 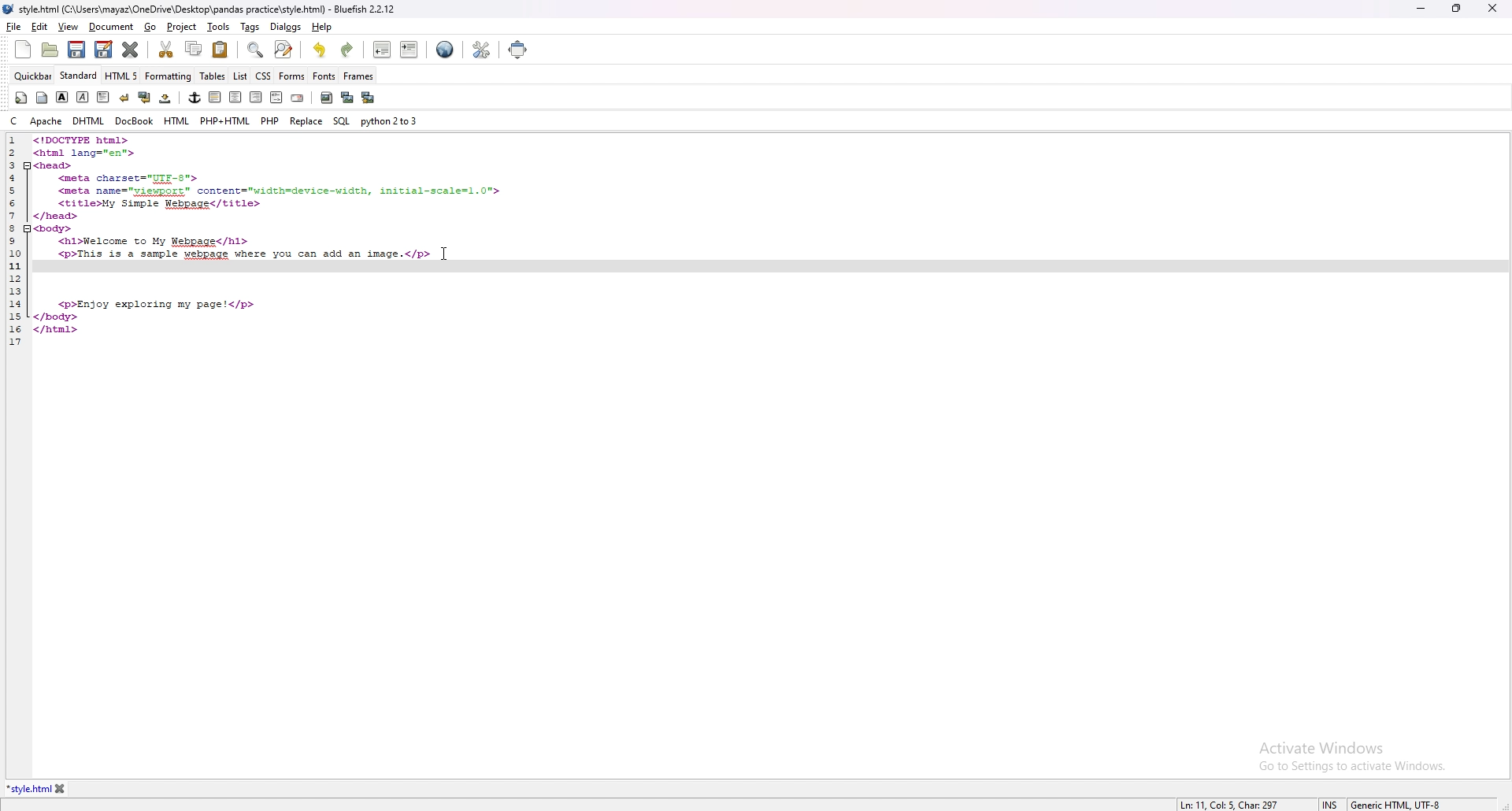 What do you see at coordinates (270, 120) in the screenshot?
I see `php` at bounding box center [270, 120].